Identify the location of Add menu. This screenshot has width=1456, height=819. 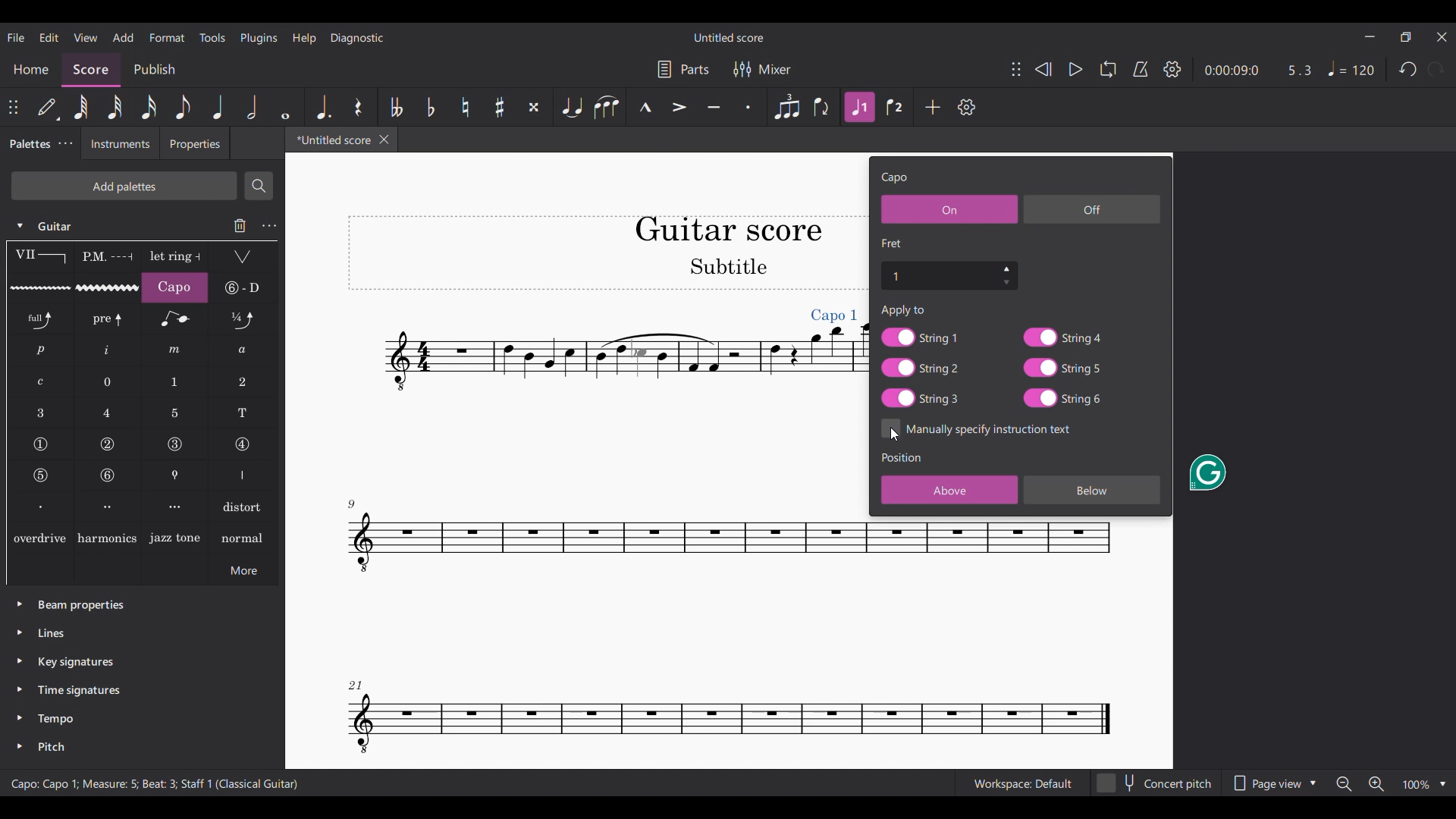
(123, 37).